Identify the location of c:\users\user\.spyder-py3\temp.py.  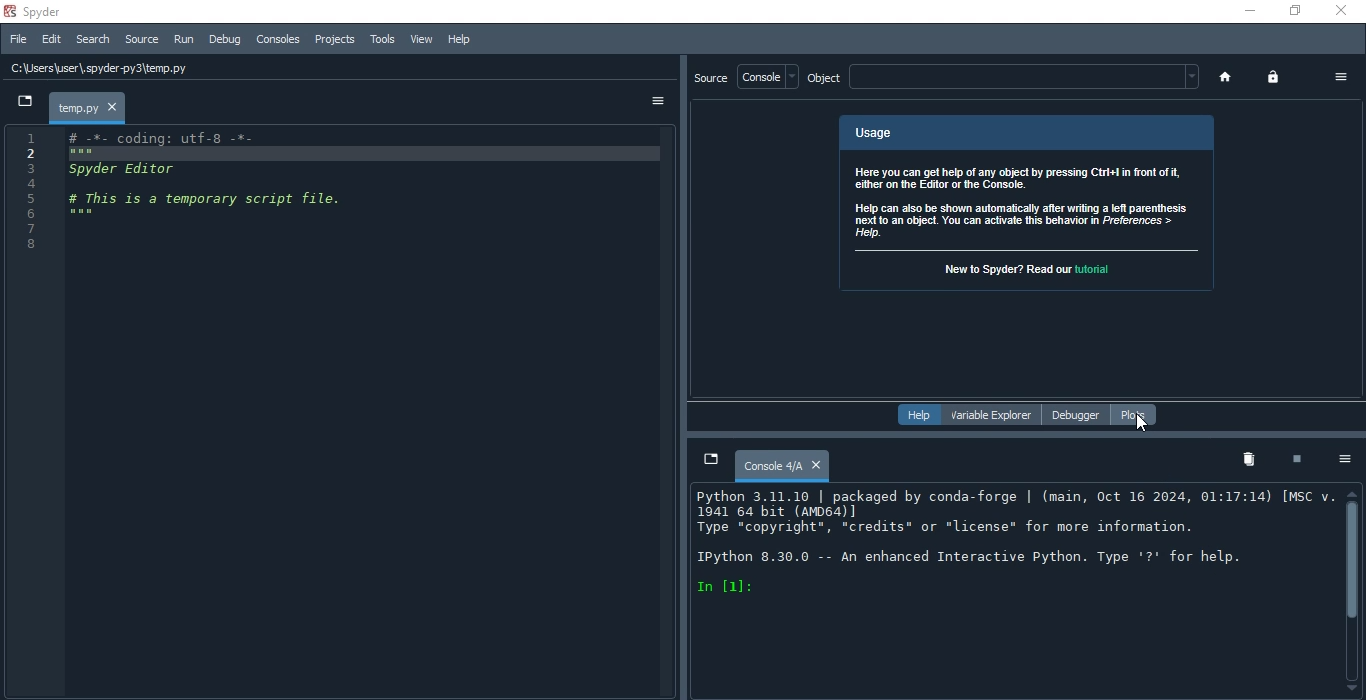
(302, 68).